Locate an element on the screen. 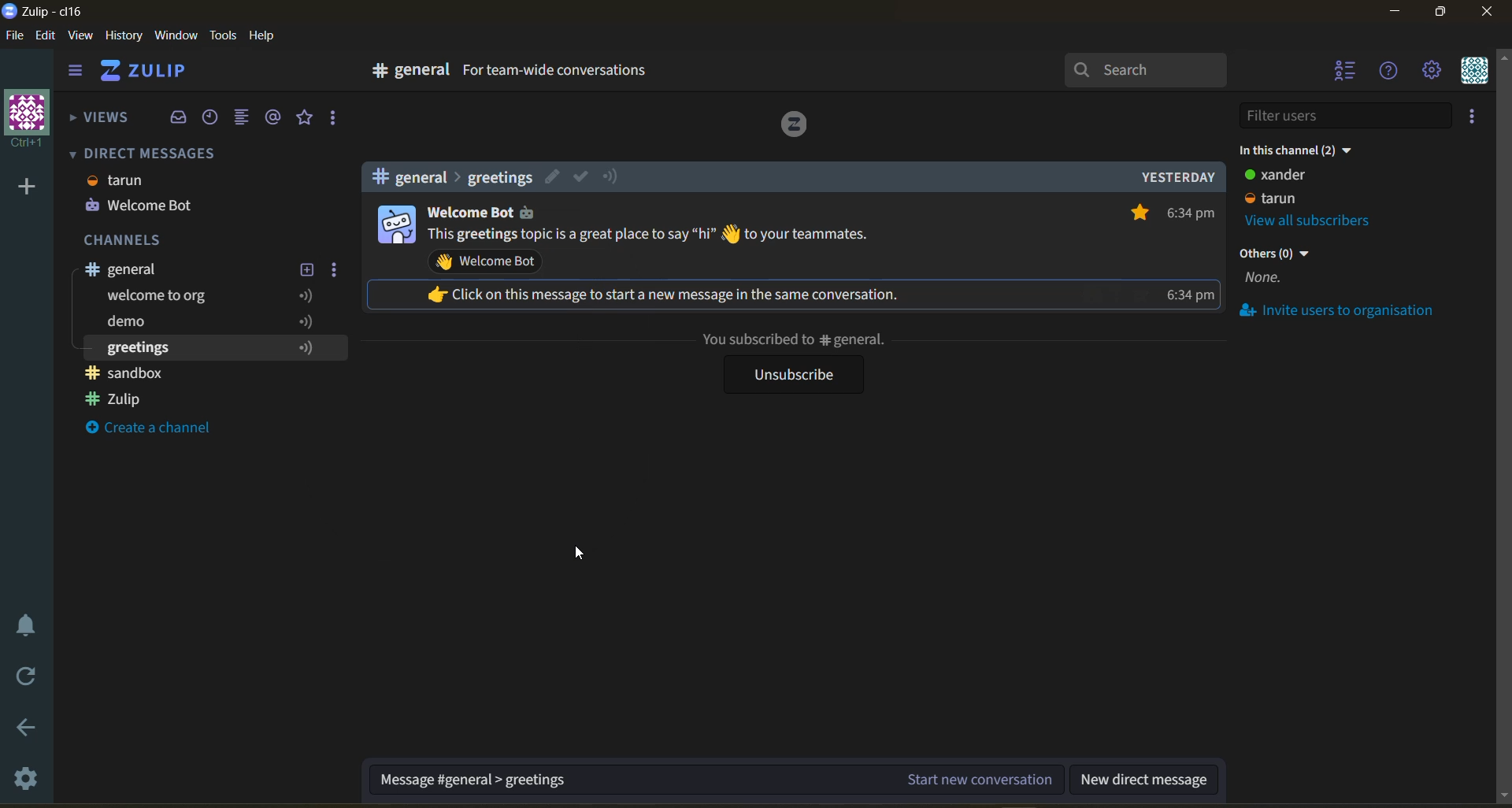 This screenshot has height=808, width=1512. close is located at coordinates (1490, 14).